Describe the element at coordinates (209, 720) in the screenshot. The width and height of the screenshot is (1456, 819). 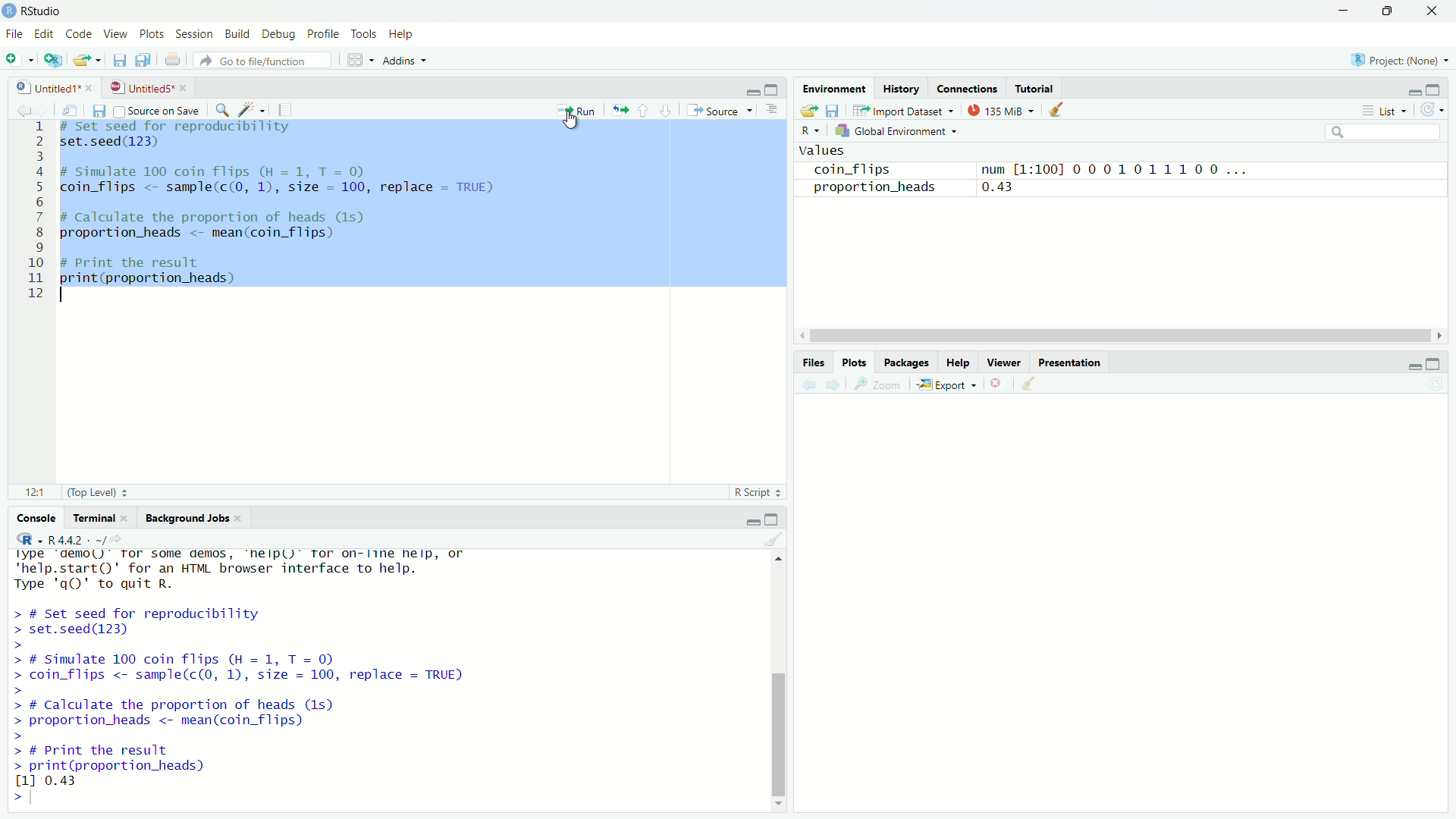
I see `> # Calculate the proportion of heads (1s)
> proportion_heads <- mean(coin_flips)` at that location.